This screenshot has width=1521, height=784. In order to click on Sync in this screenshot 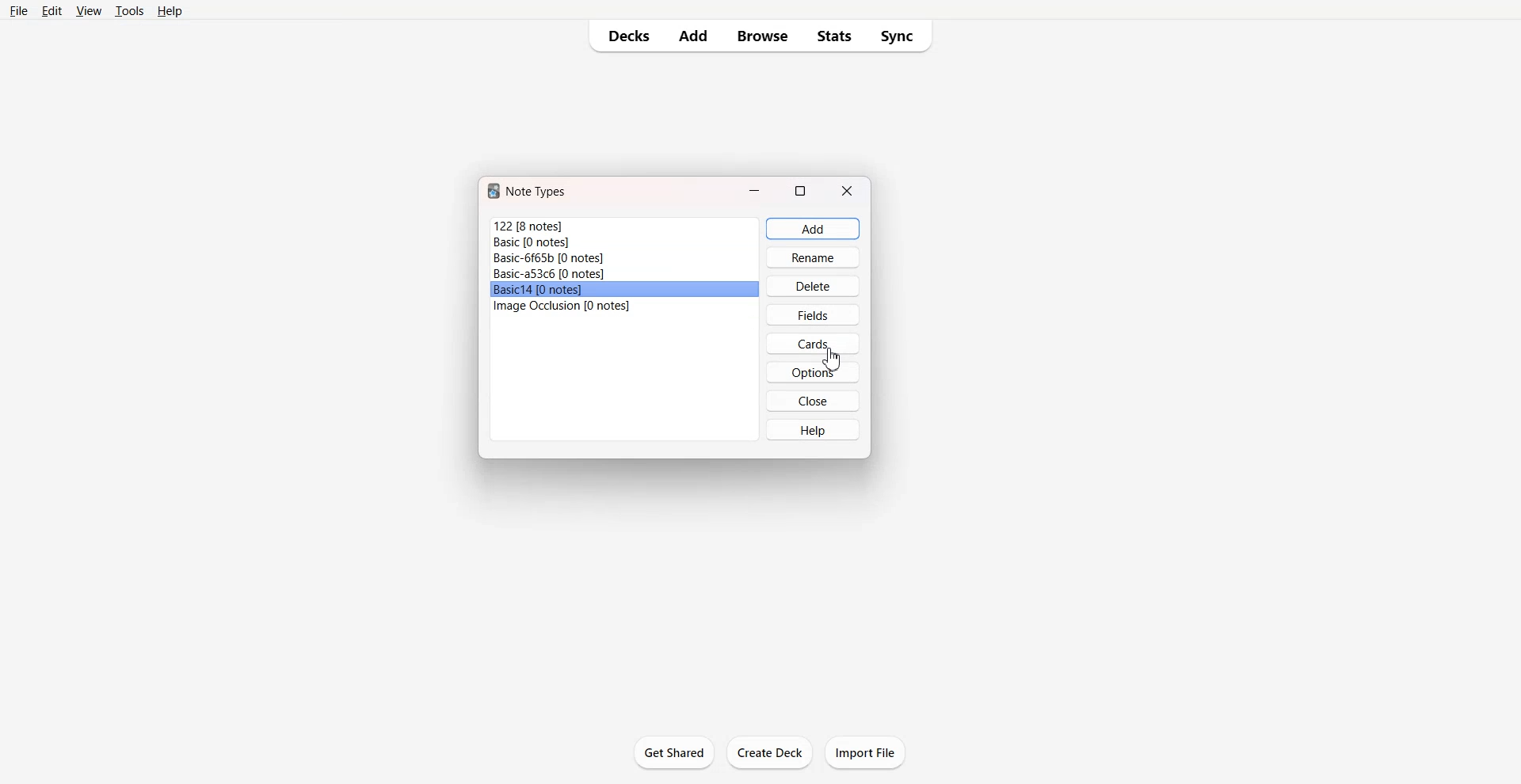, I will do `click(900, 36)`.